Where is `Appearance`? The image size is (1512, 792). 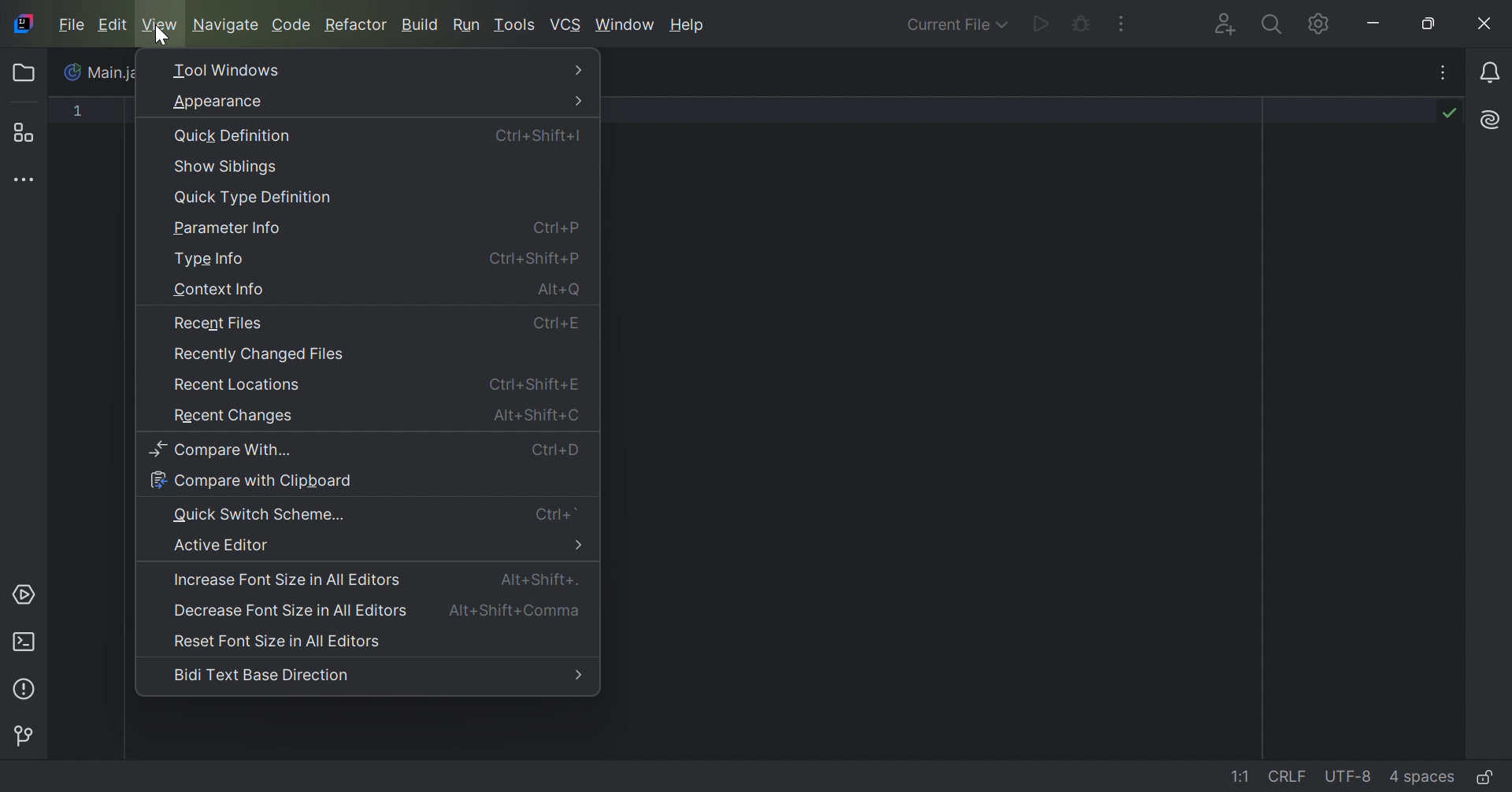
Appearance is located at coordinates (215, 102).